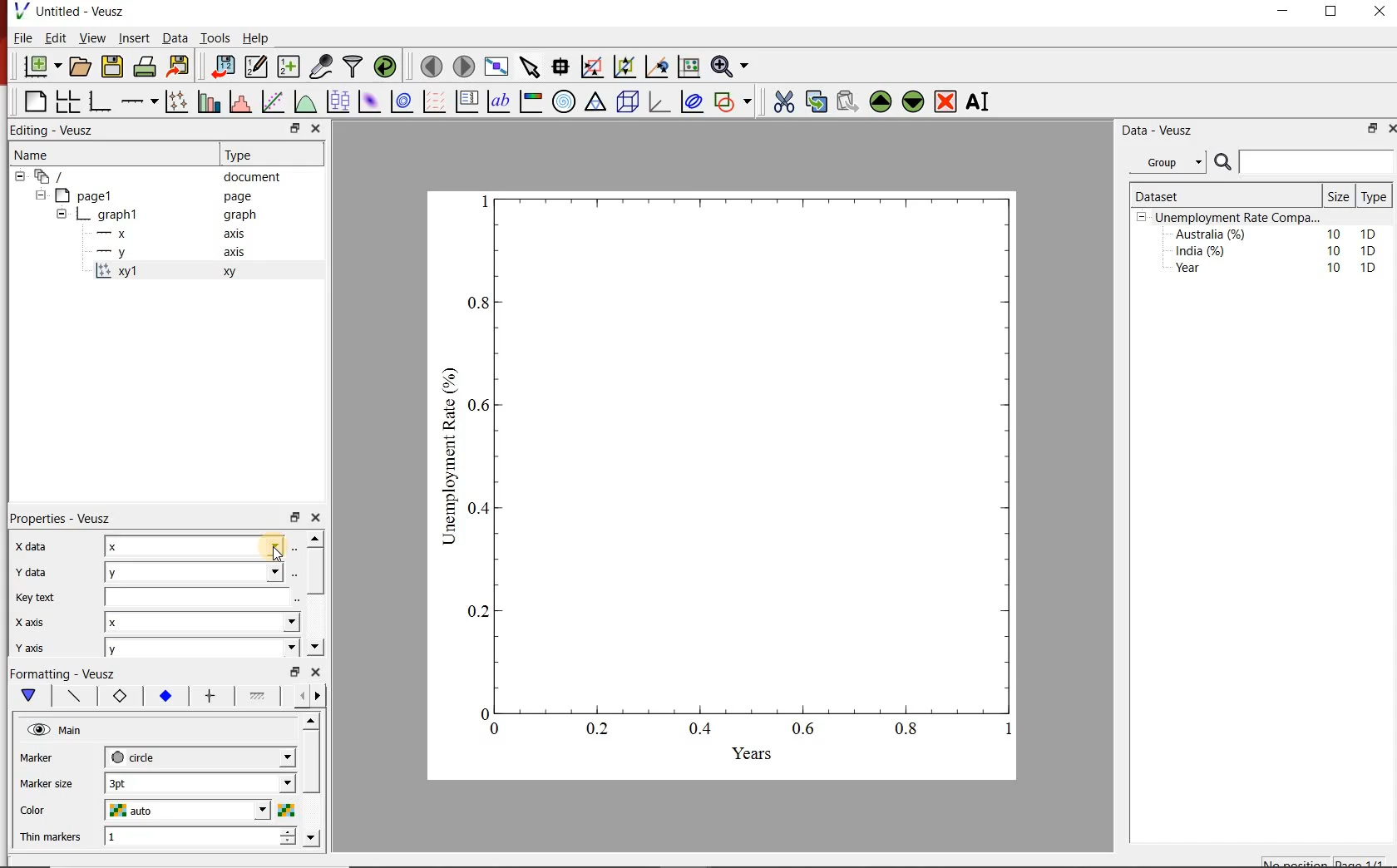 The image size is (1397, 868). Describe the element at coordinates (68, 10) in the screenshot. I see `Untitled - Veusz` at that location.